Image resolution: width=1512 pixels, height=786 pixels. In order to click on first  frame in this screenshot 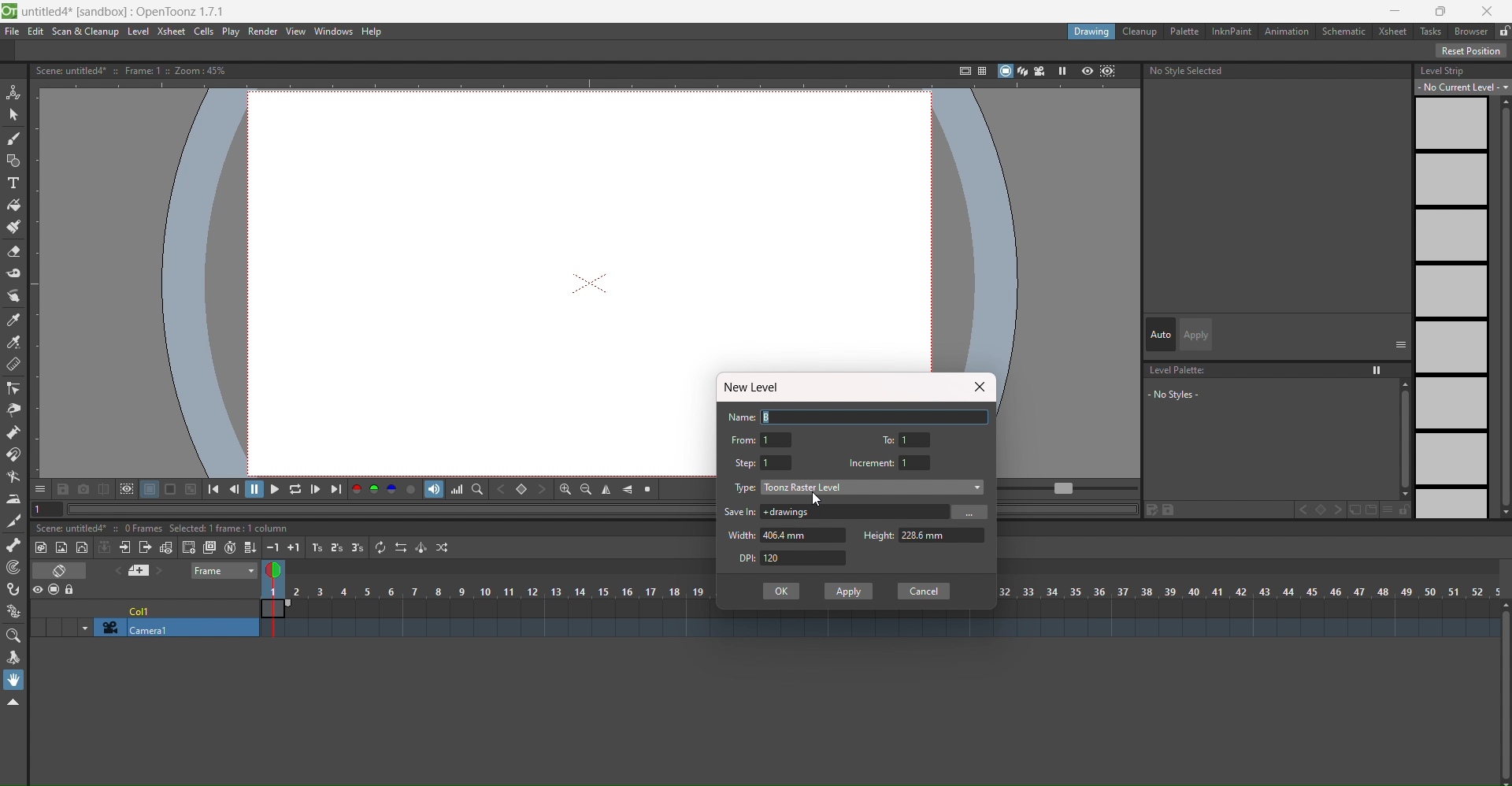, I will do `click(218, 488)`.